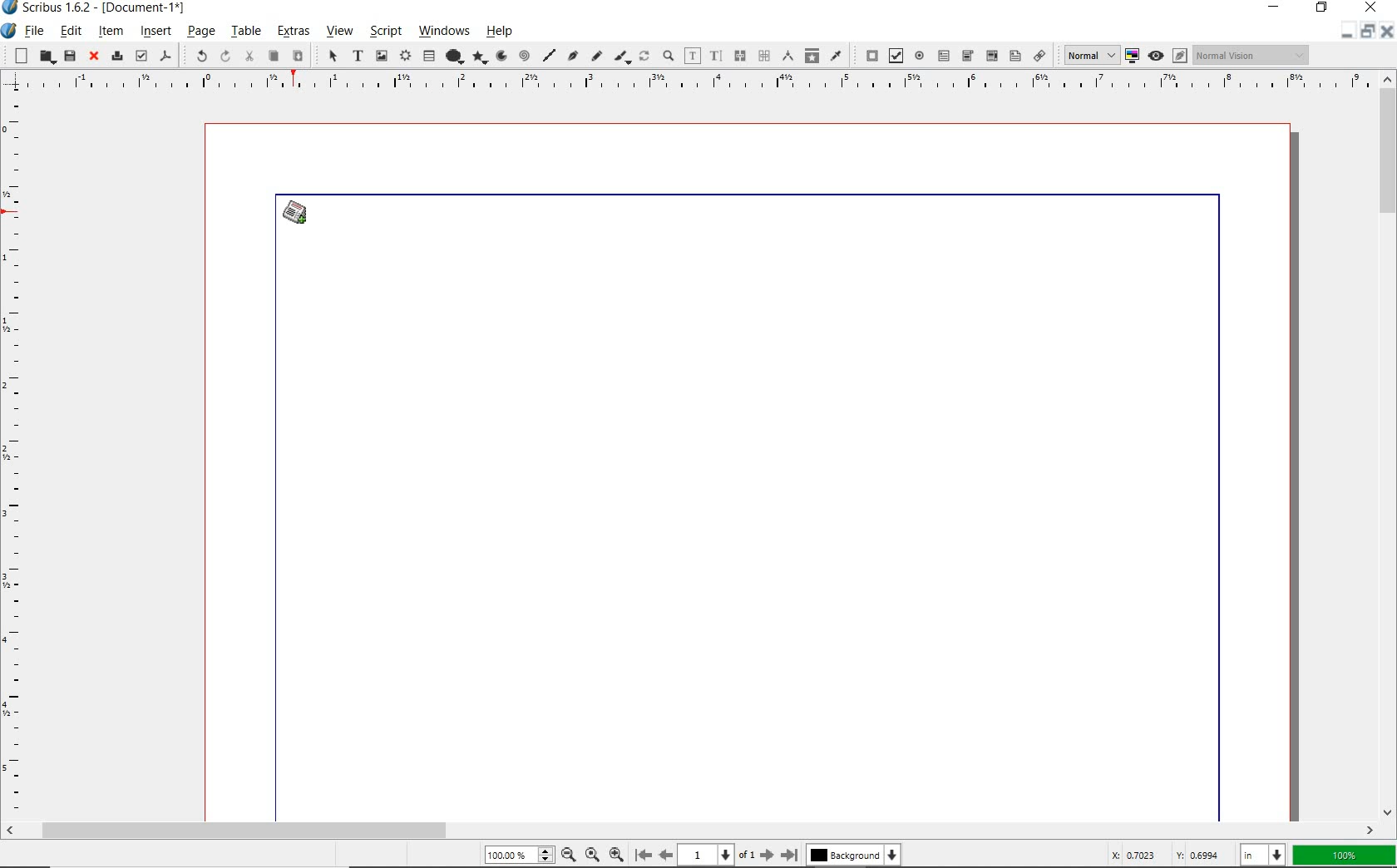 This screenshot has height=868, width=1397. What do you see at coordinates (10, 31) in the screenshot?
I see `system icon` at bounding box center [10, 31].